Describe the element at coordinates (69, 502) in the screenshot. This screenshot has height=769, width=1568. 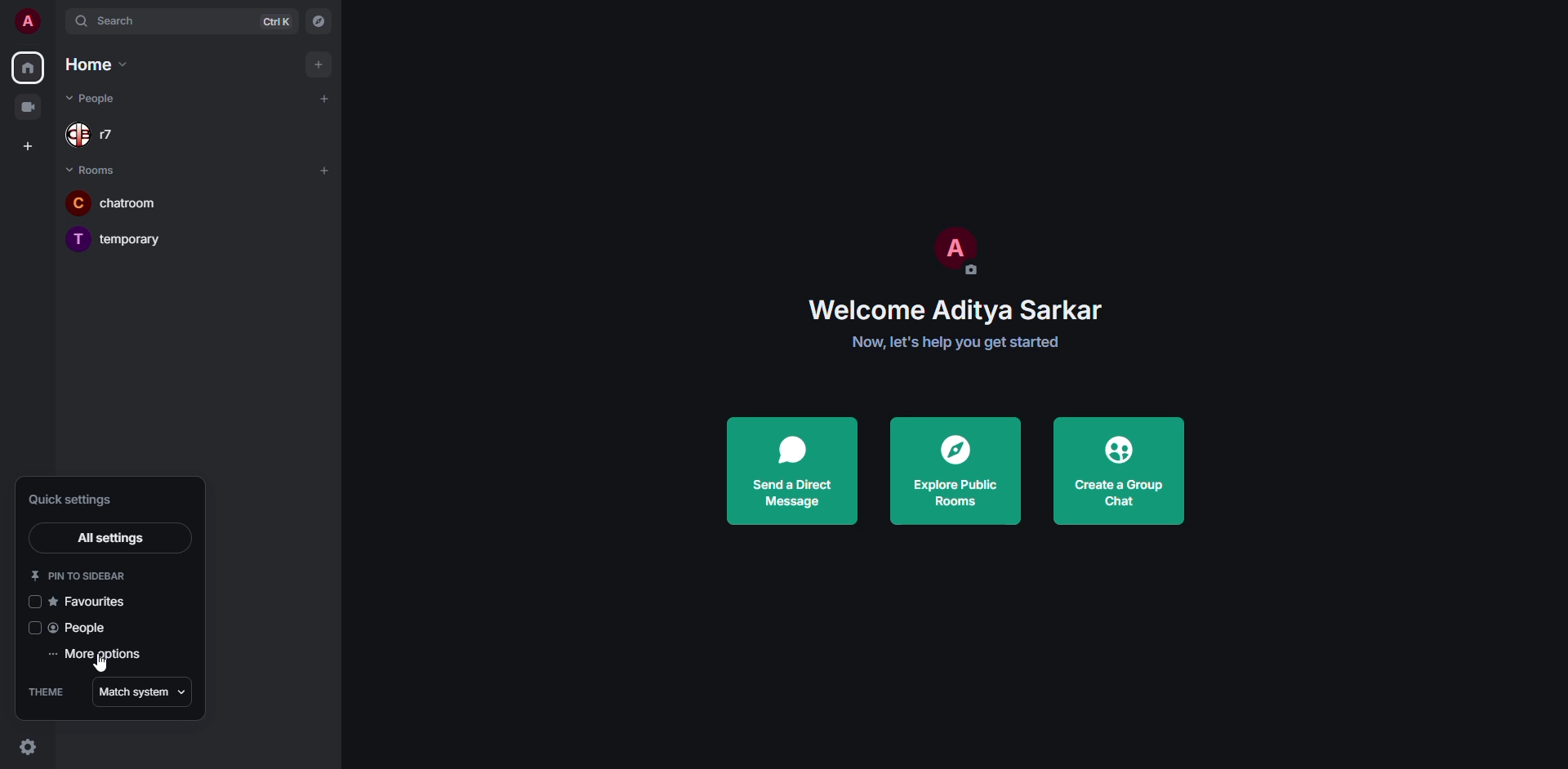
I see `quick settings` at that location.